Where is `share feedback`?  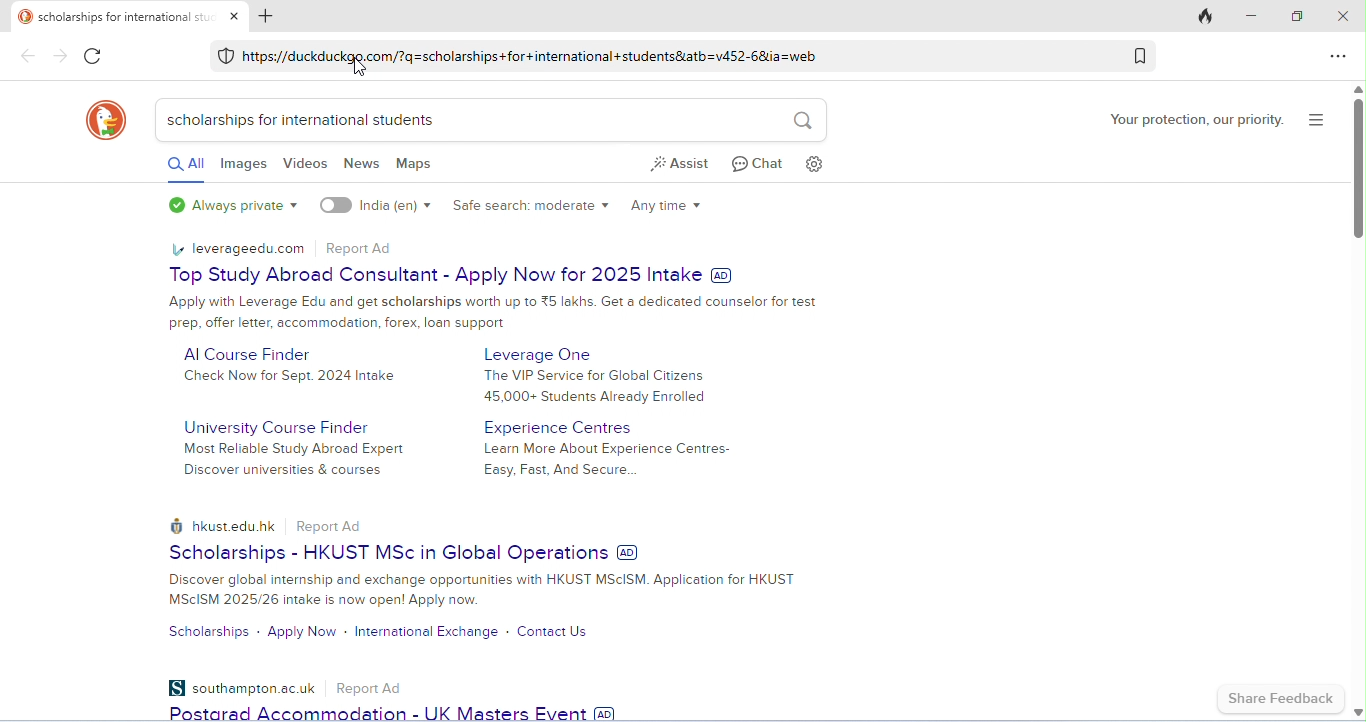
share feedback is located at coordinates (1277, 696).